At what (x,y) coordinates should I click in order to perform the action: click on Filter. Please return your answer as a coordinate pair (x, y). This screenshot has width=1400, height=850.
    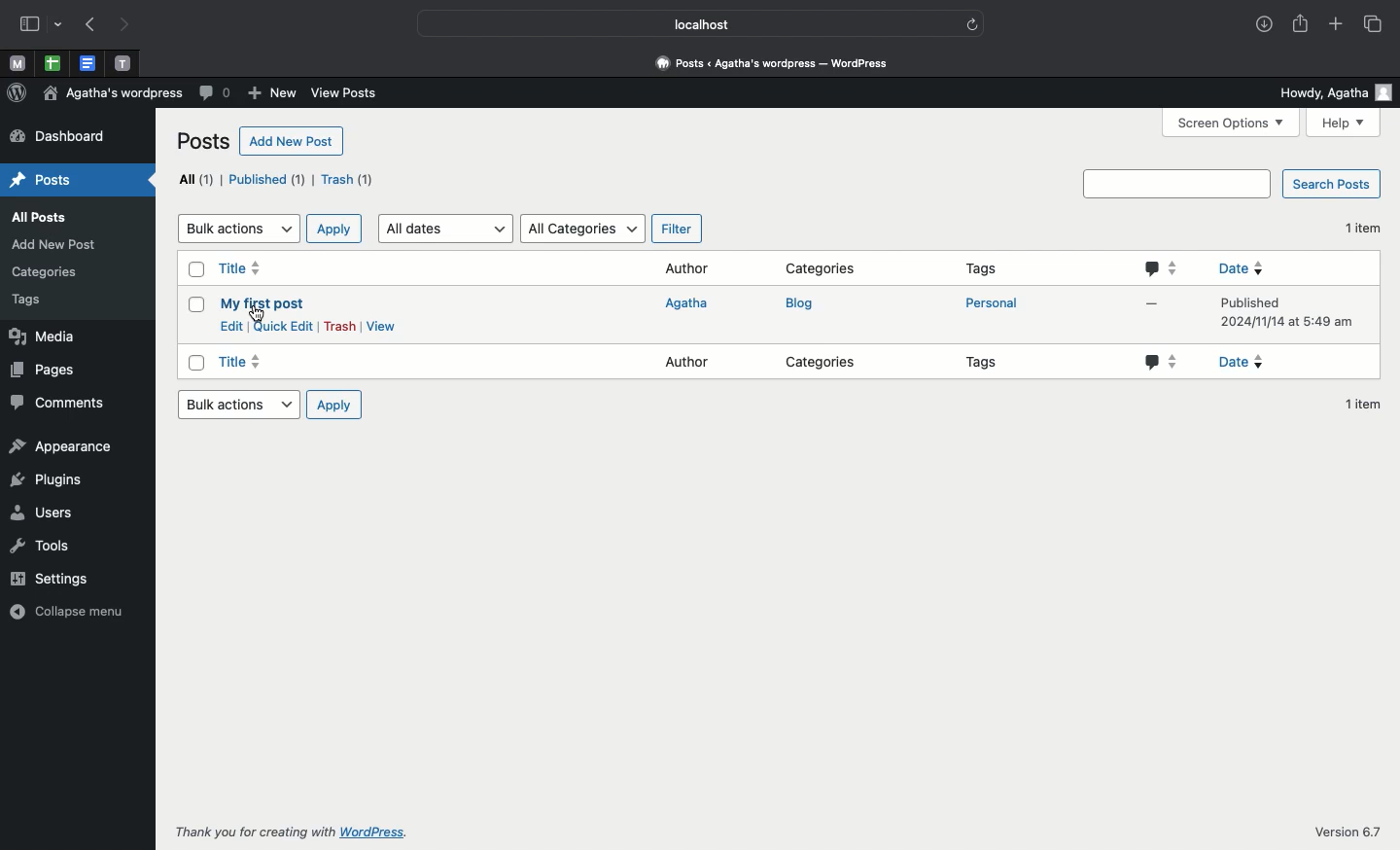
    Looking at the image, I should click on (673, 230).